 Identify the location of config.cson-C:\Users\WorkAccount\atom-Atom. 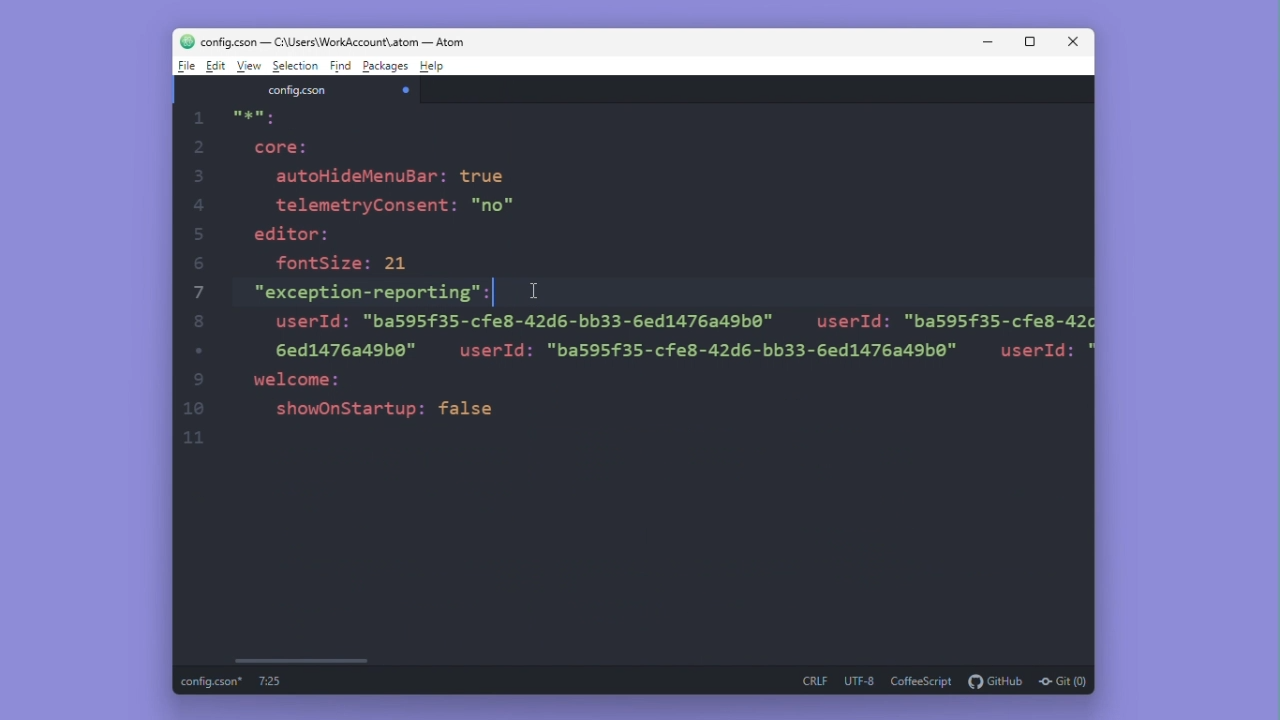
(321, 40).